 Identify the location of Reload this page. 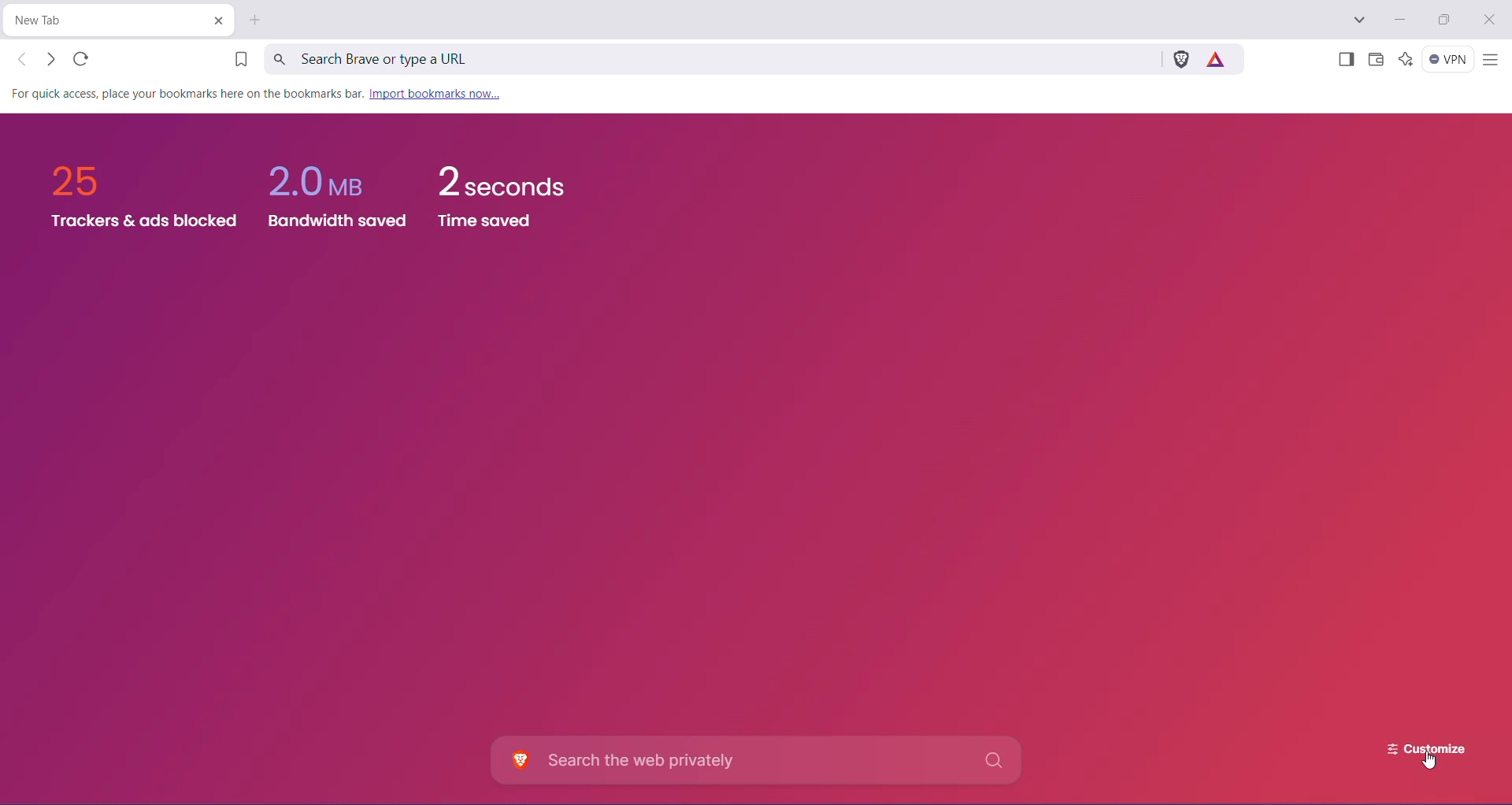
(83, 58).